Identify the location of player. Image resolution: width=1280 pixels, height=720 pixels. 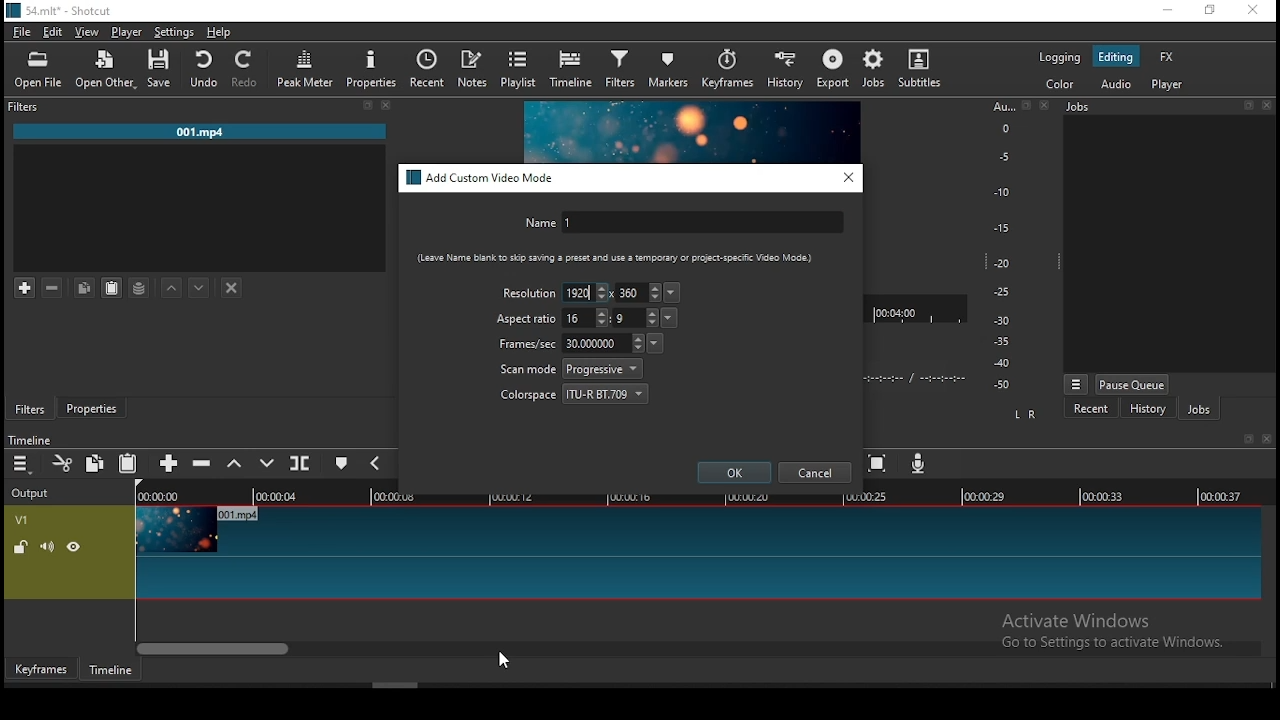
(128, 33).